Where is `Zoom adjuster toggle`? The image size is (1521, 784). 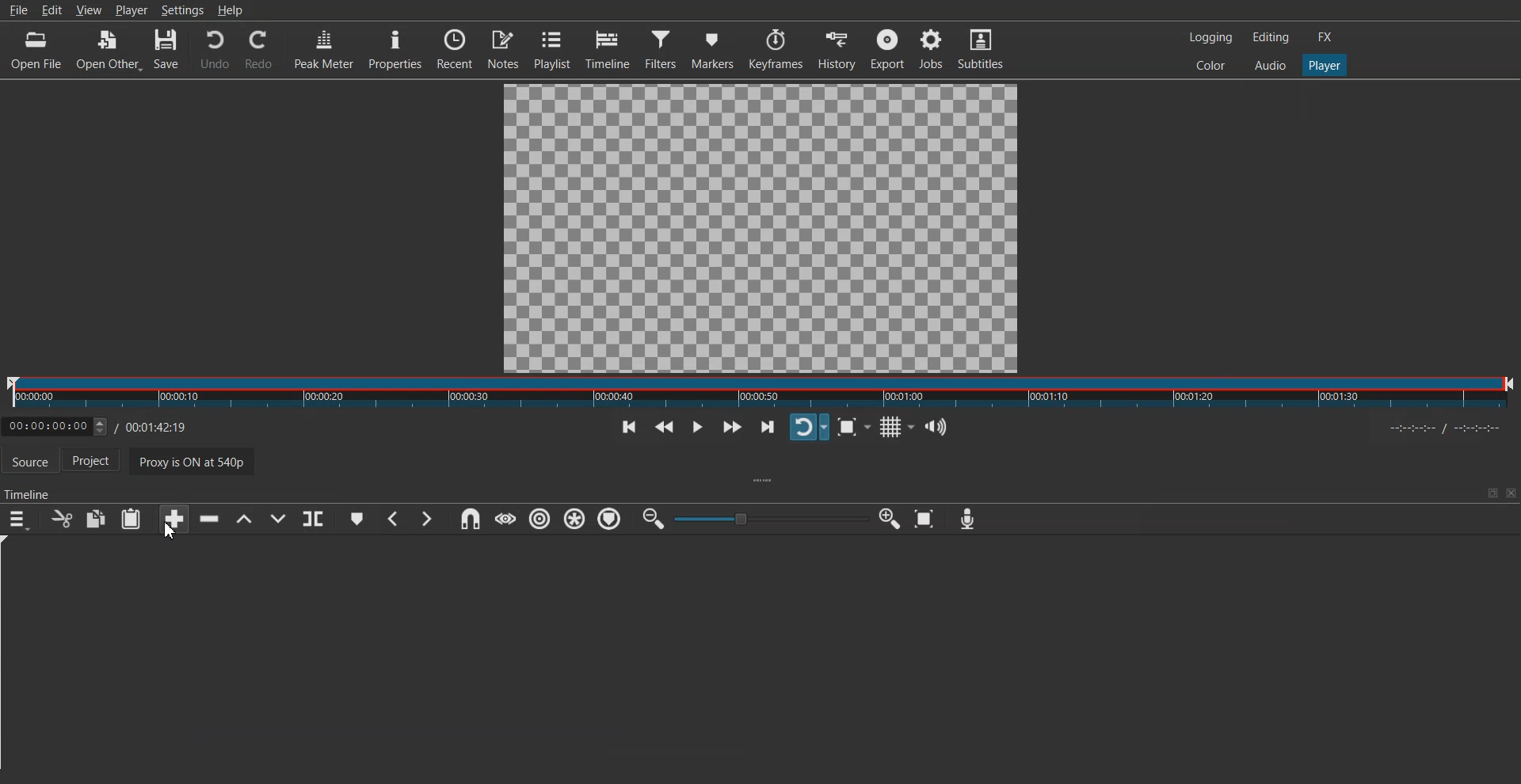 Zoom adjuster toggle is located at coordinates (771, 519).